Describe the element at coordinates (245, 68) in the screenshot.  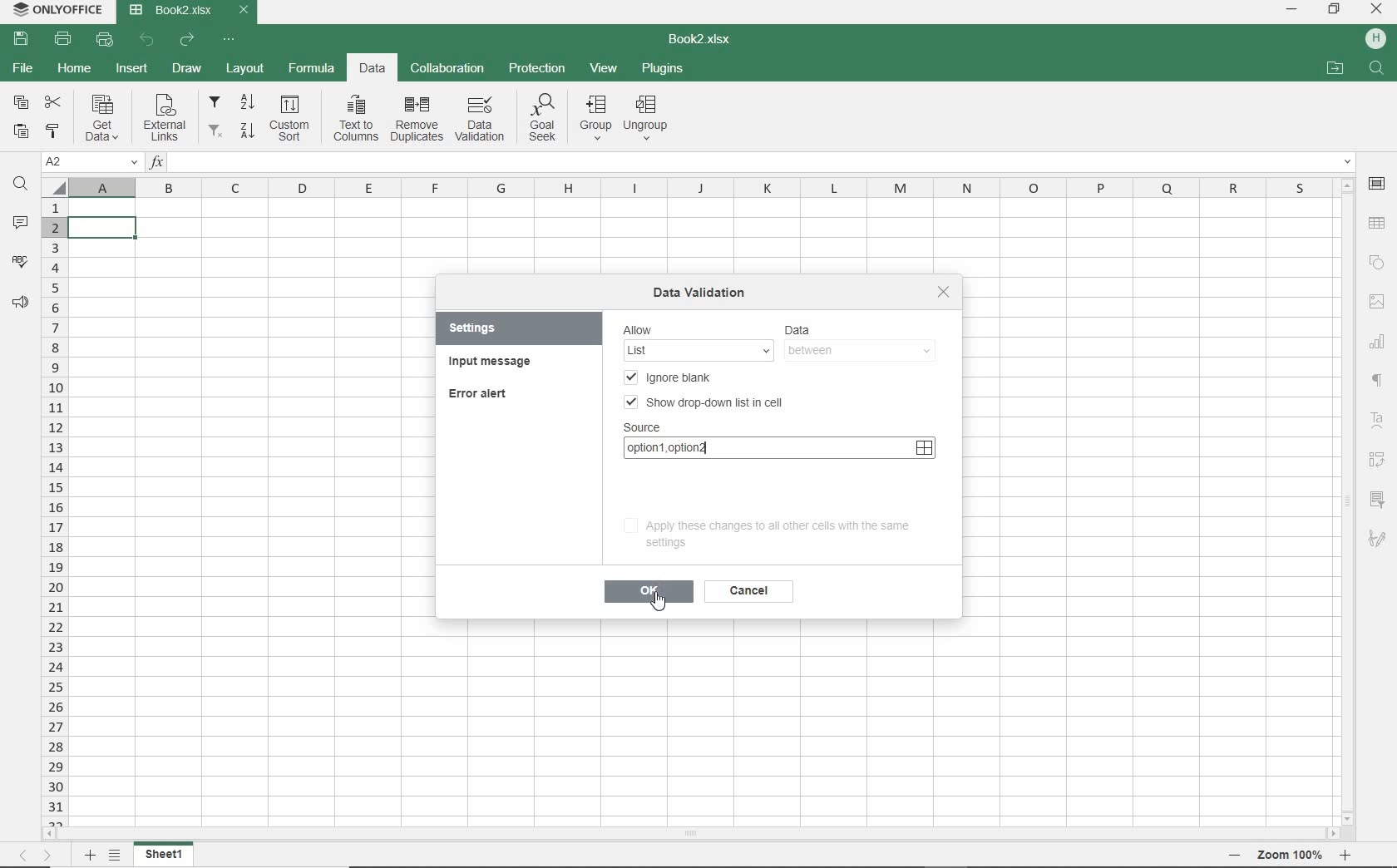
I see `LAYOUT` at that location.